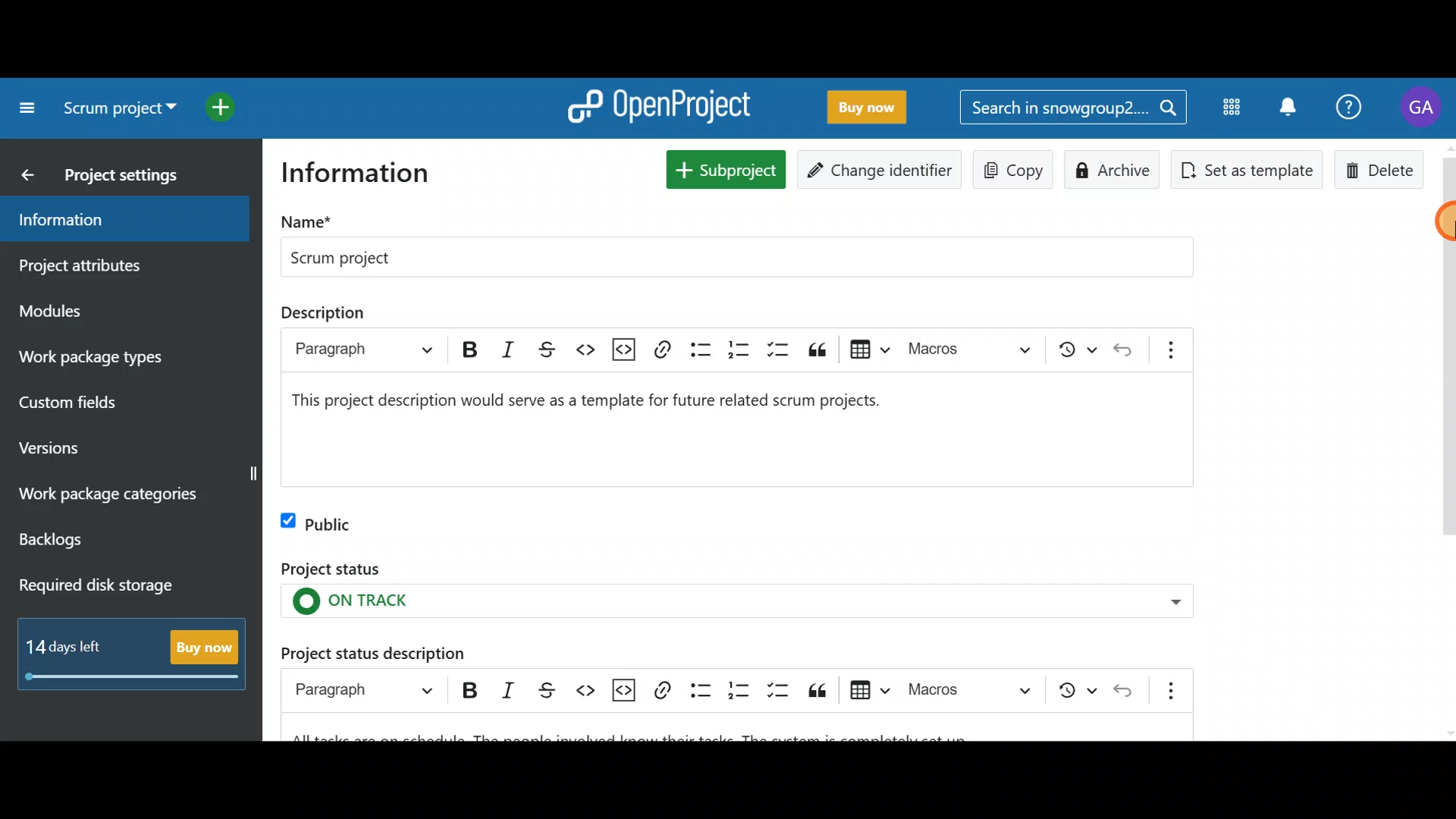 The width and height of the screenshot is (1456, 819). What do you see at coordinates (361, 349) in the screenshot?
I see `paragraph` at bounding box center [361, 349].